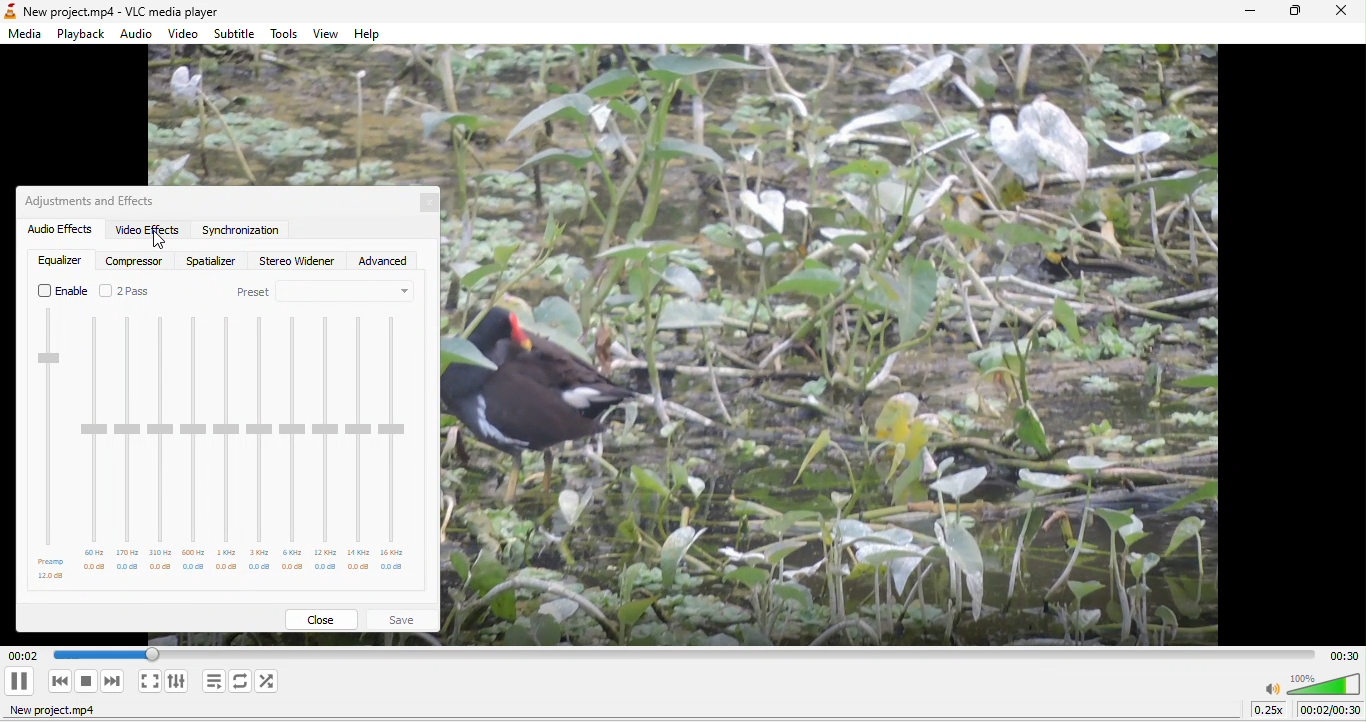  What do you see at coordinates (59, 260) in the screenshot?
I see `equalzer` at bounding box center [59, 260].